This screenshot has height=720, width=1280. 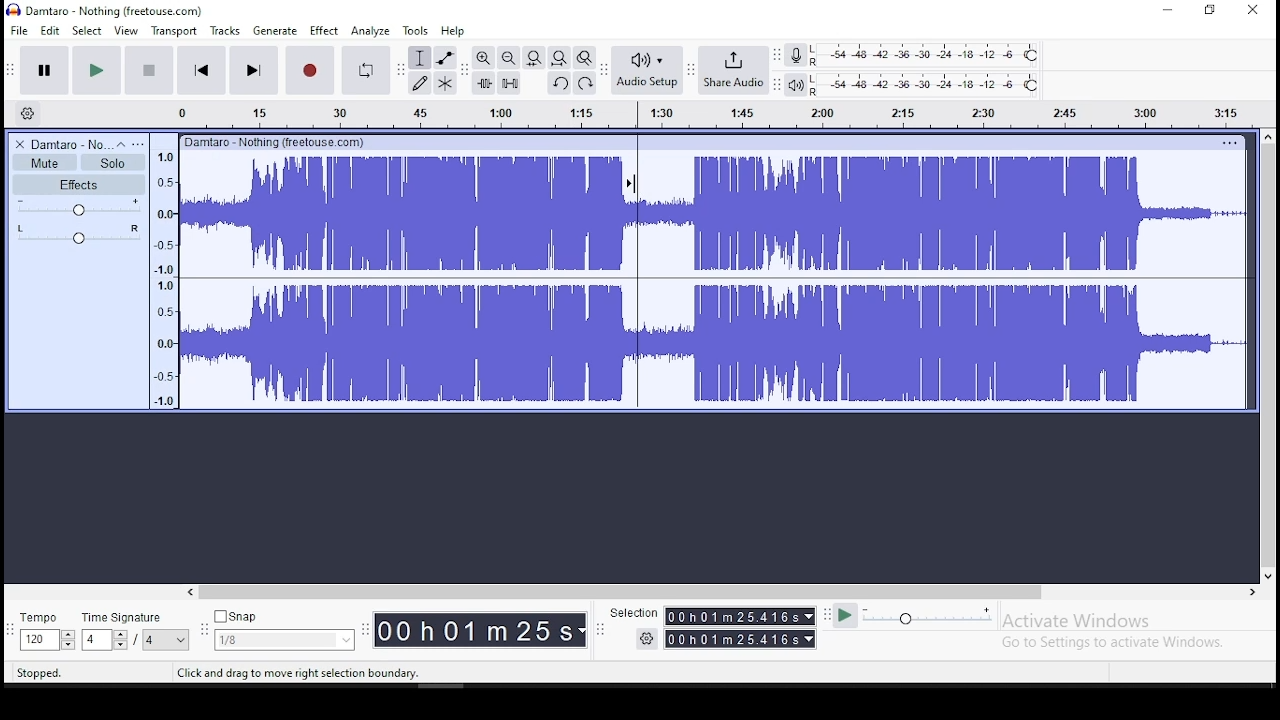 What do you see at coordinates (296, 673) in the screenshot?
I see `click and drag to move right selection boundary` at bounding box center [296, 673].